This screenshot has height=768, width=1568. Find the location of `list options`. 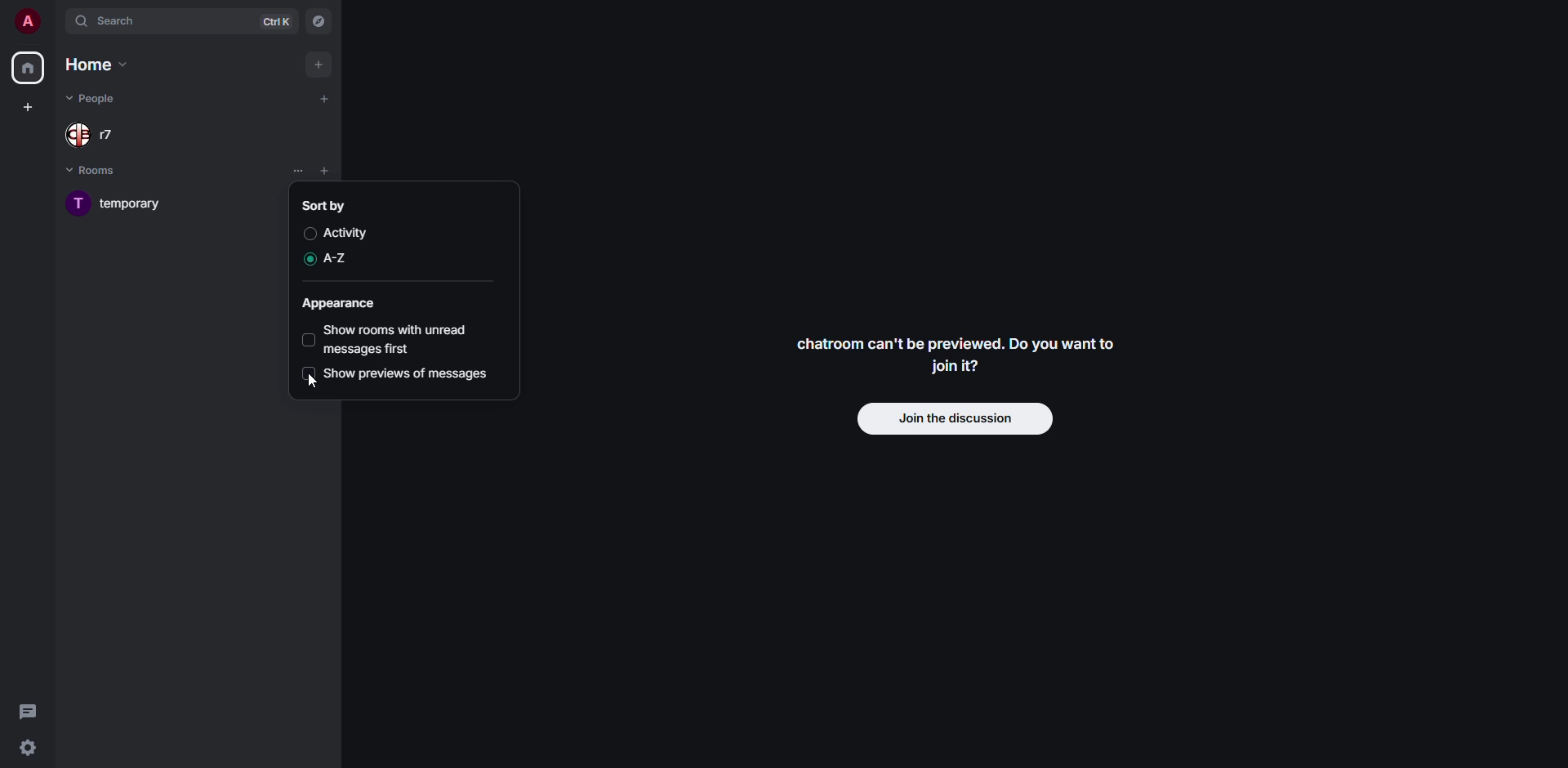

list options is located at coordinates (349, 172).